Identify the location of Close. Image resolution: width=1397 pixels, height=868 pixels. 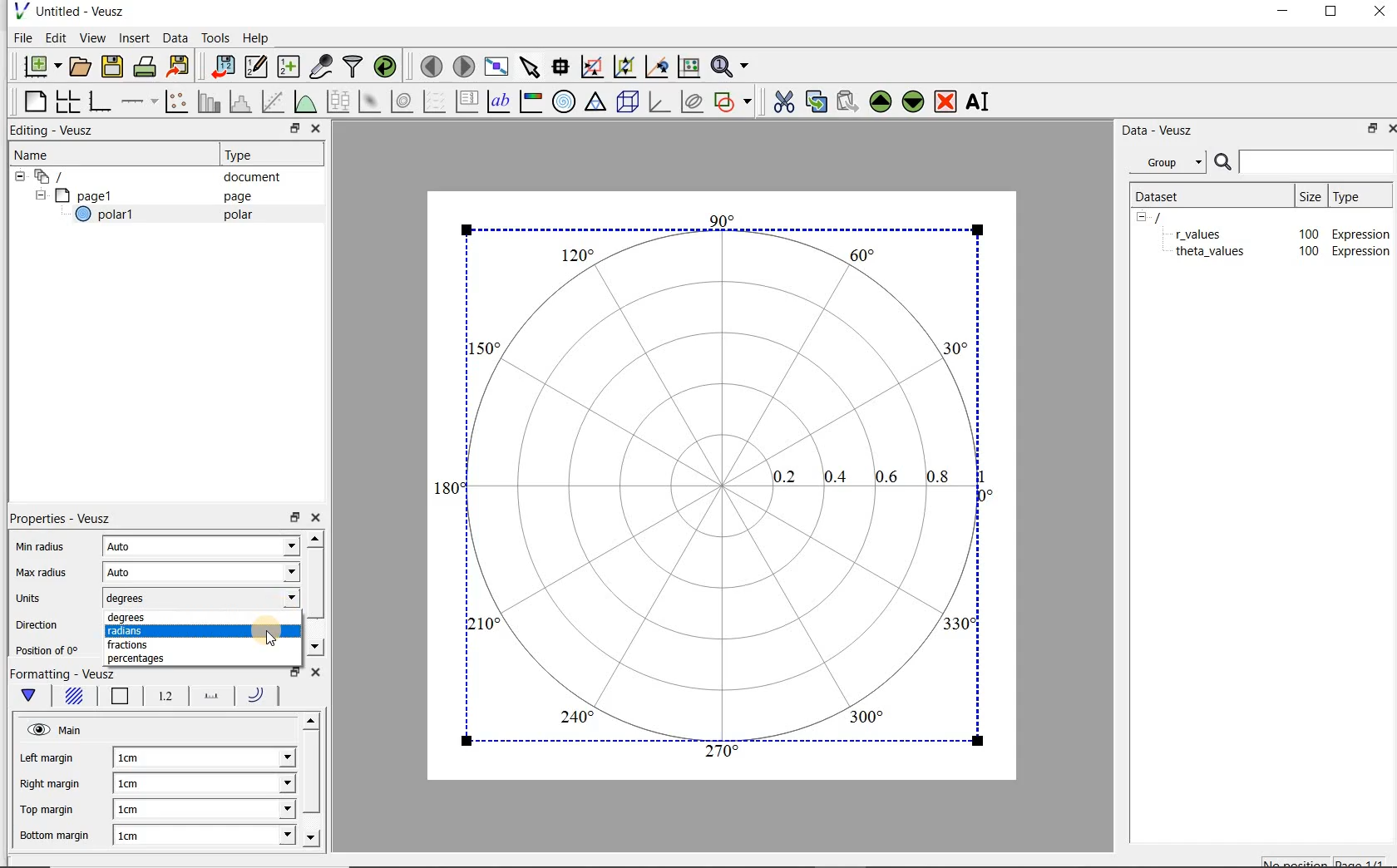
(314, 131).